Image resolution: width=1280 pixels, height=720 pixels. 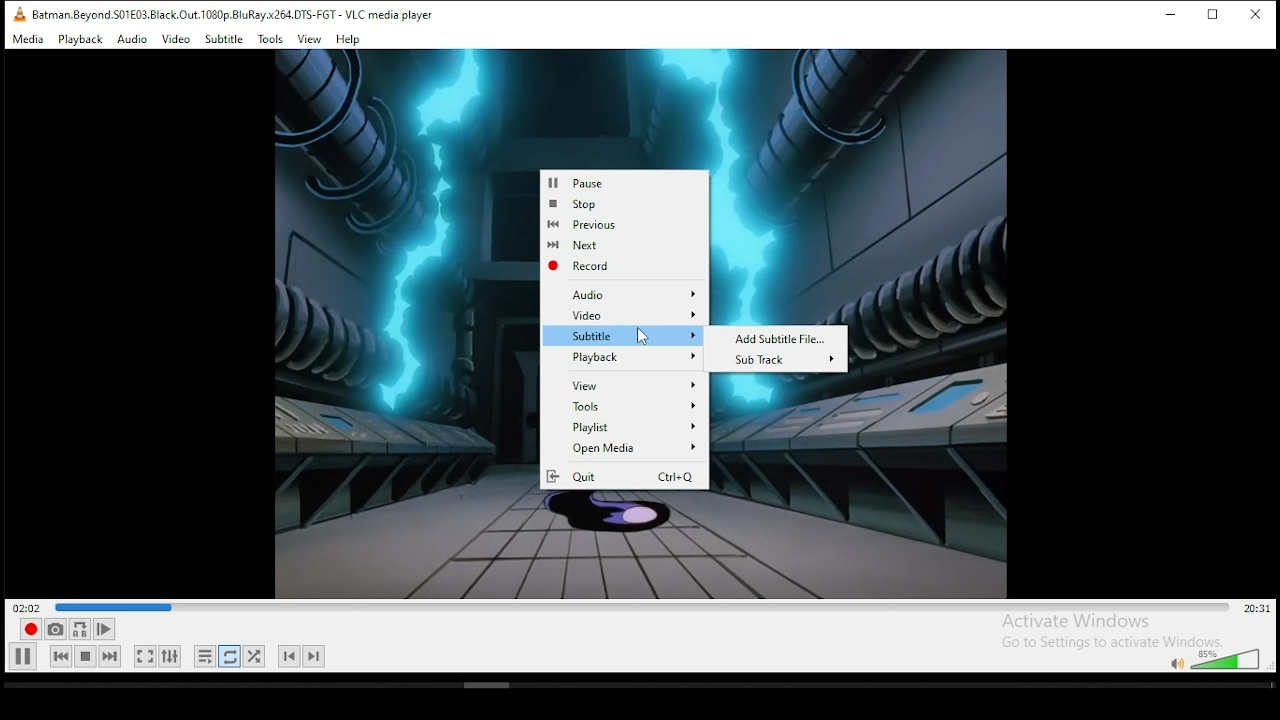 What do you see at coordinates (577, 478) in the screenshot?
I see `Quit` at bounding box center [577, 478].